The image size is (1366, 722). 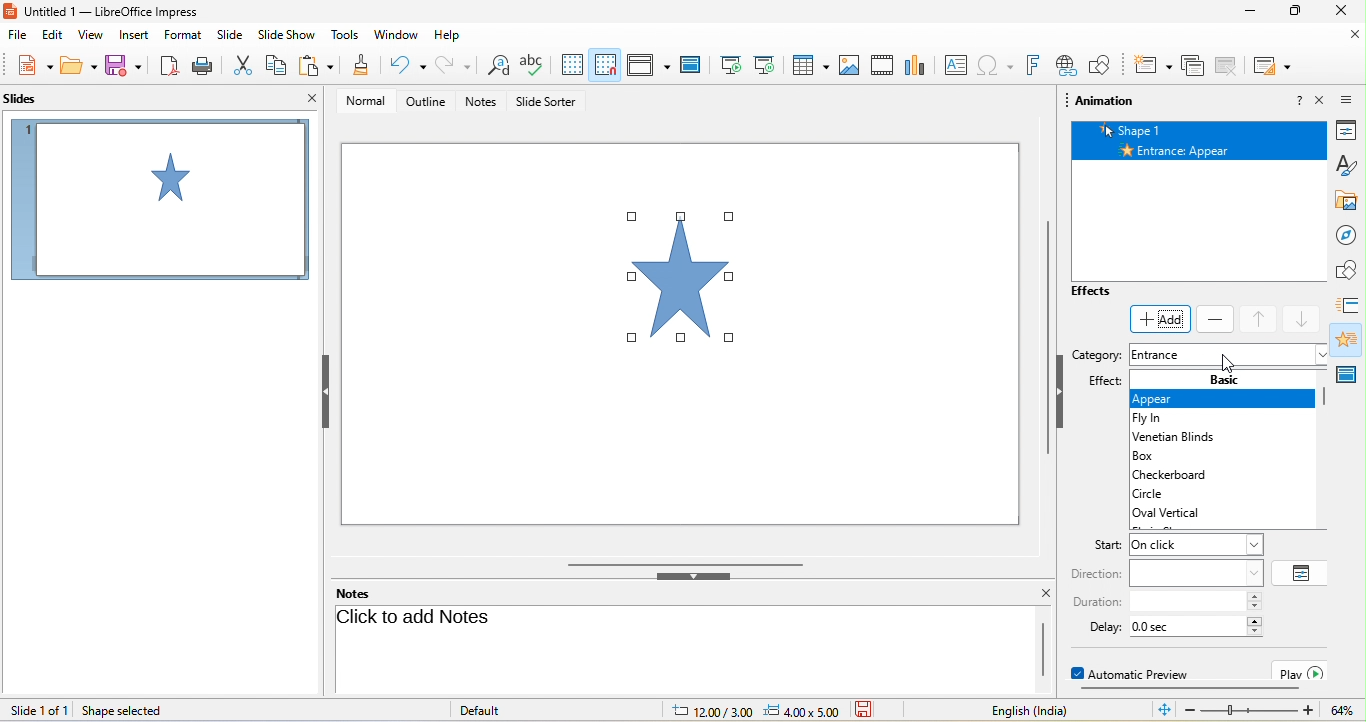 What do you see at coordinates (994, 65) in the screenshot?
I see `special character` at bounding box center [994, 65].